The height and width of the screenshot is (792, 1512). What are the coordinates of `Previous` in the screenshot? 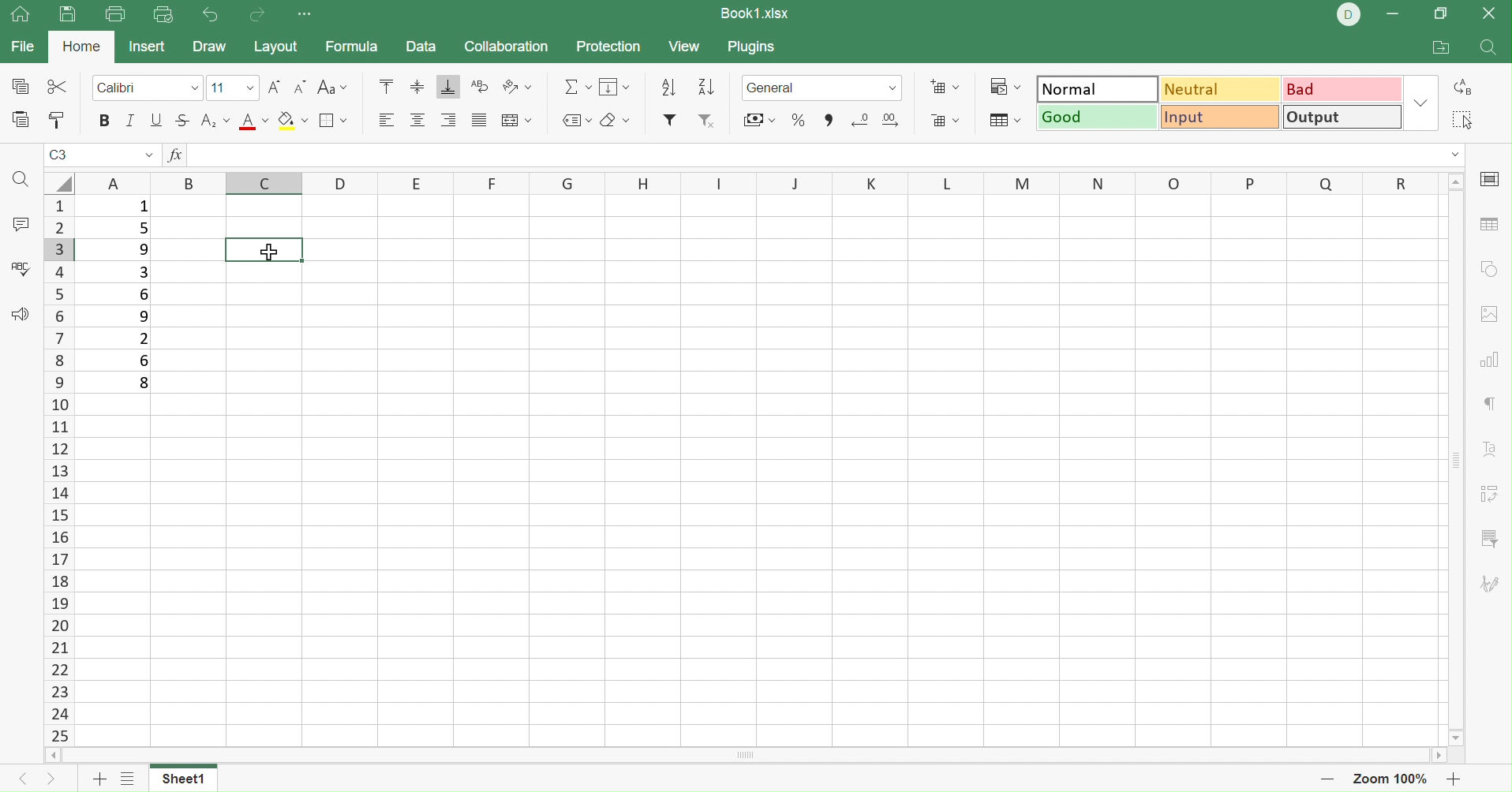 It's located at (17, 783).